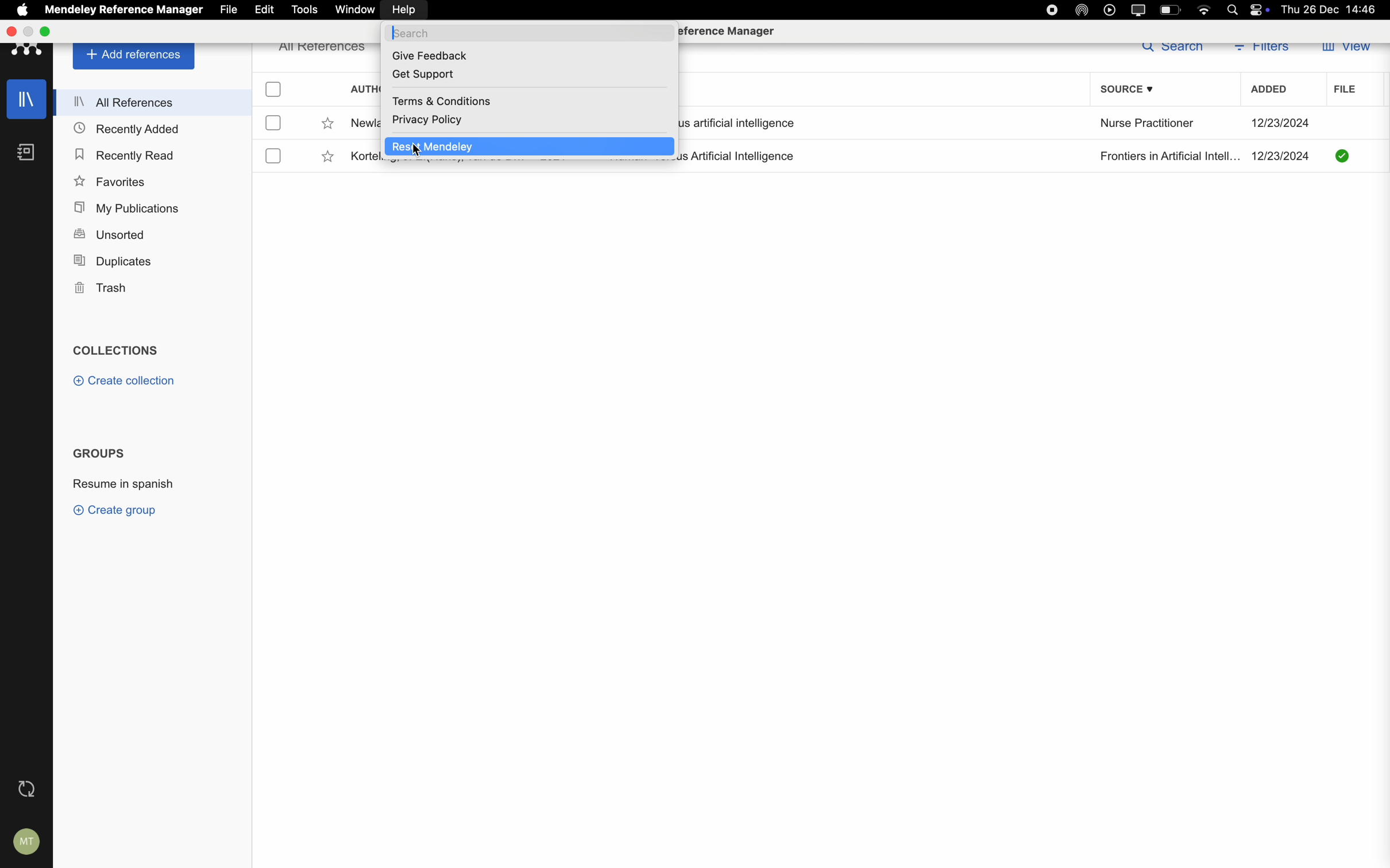 The height and width of the screenshot is (868, 1390). Describe the element at coordinates (273, 90) in the screenshot. I see `checkbox` at that location.